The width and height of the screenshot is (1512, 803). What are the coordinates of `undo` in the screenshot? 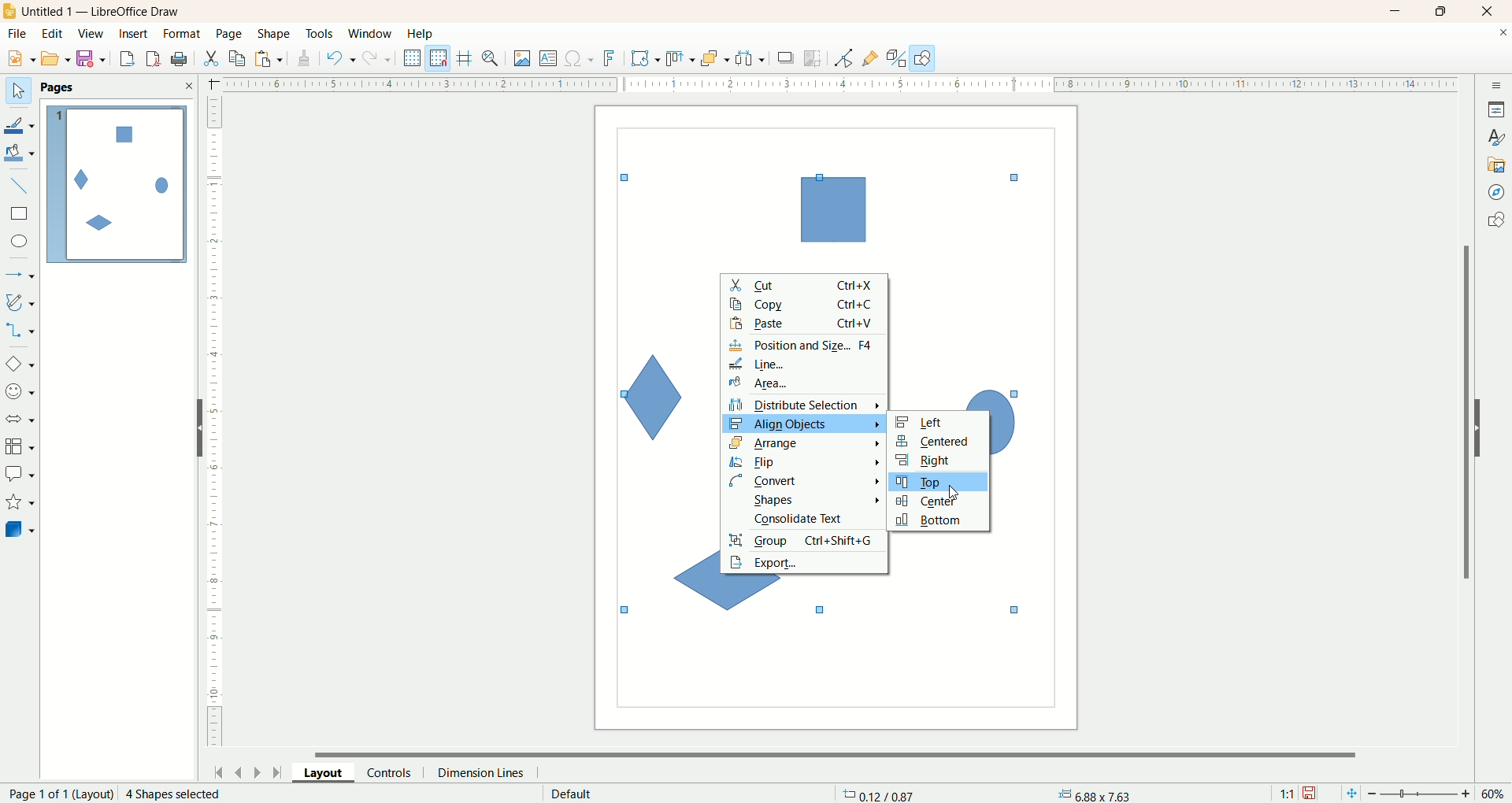 It's located at (341, 58).